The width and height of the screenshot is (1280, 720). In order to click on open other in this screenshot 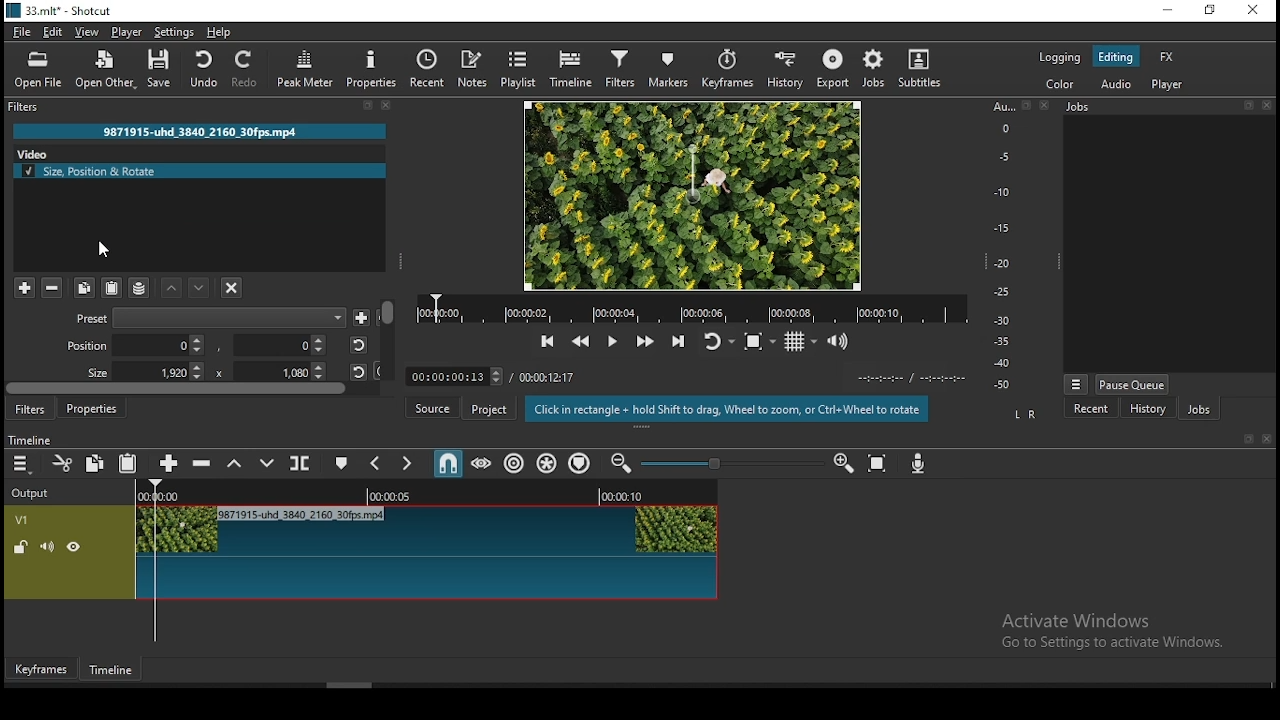, I will do `click(103, 71)`.